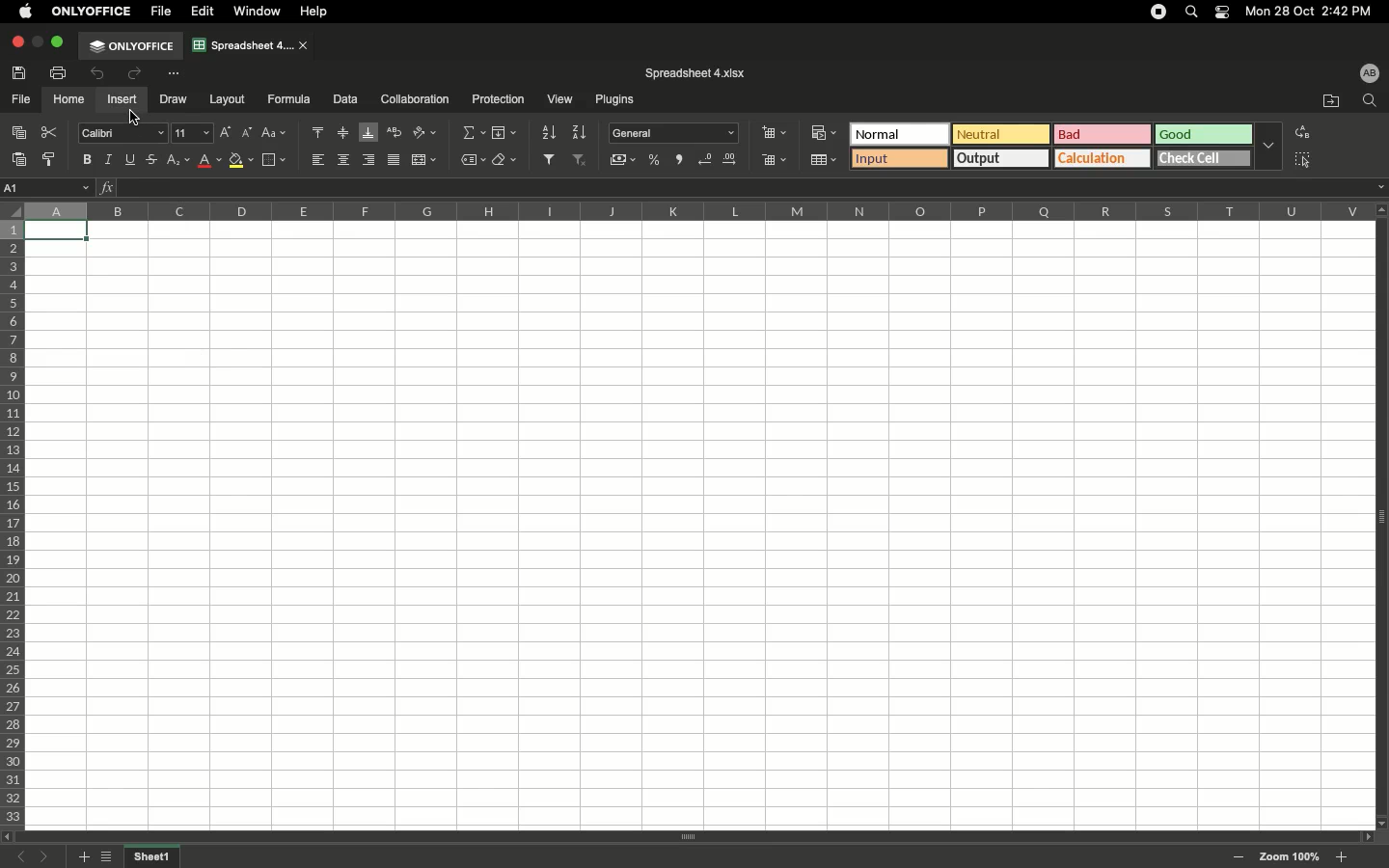  Describe the element at coordinates (154, 857) in the screenshot. I see `Sheet name` at that location.